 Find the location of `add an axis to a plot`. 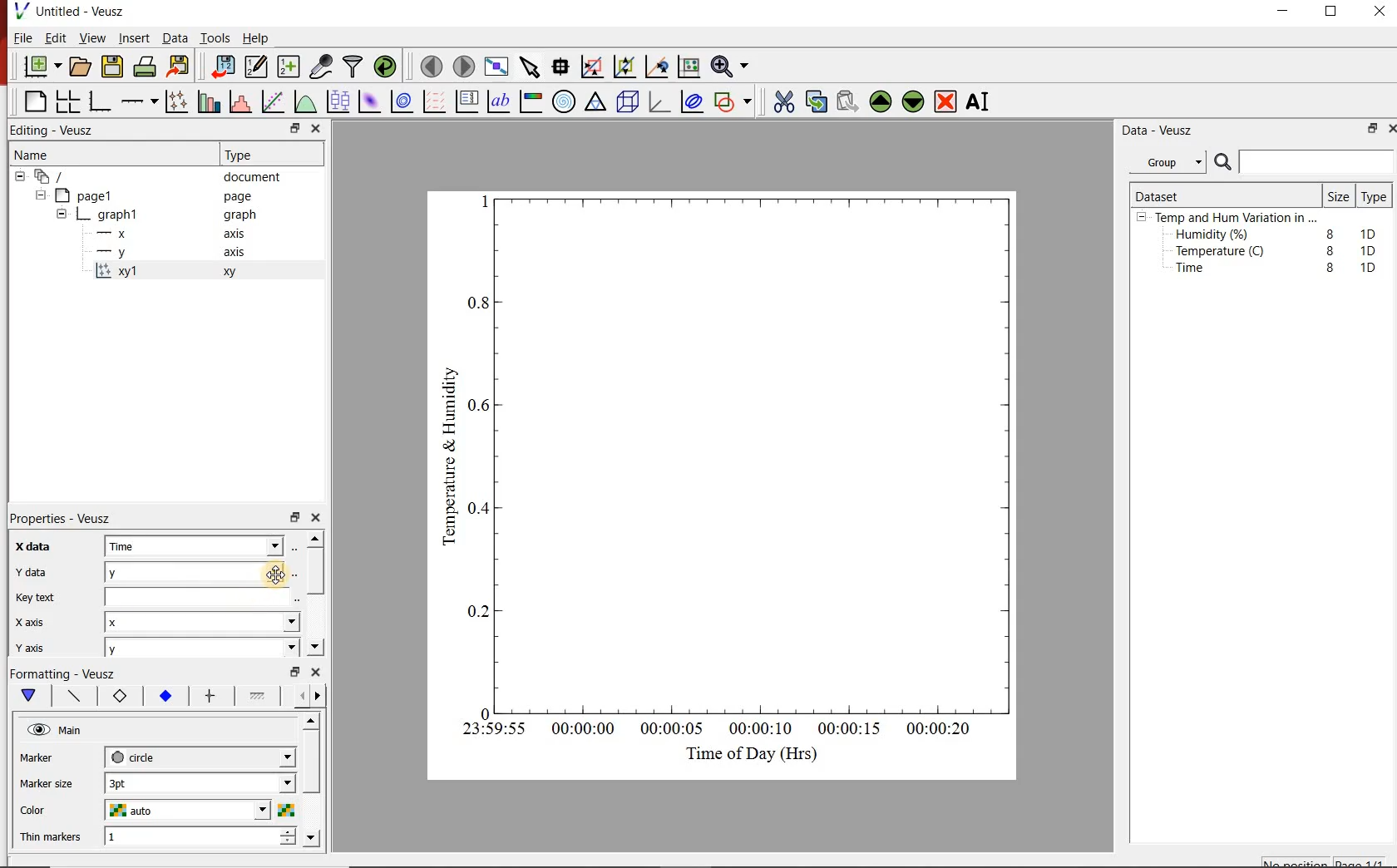

add an axis to a plot is located at coordinates (141, 100).